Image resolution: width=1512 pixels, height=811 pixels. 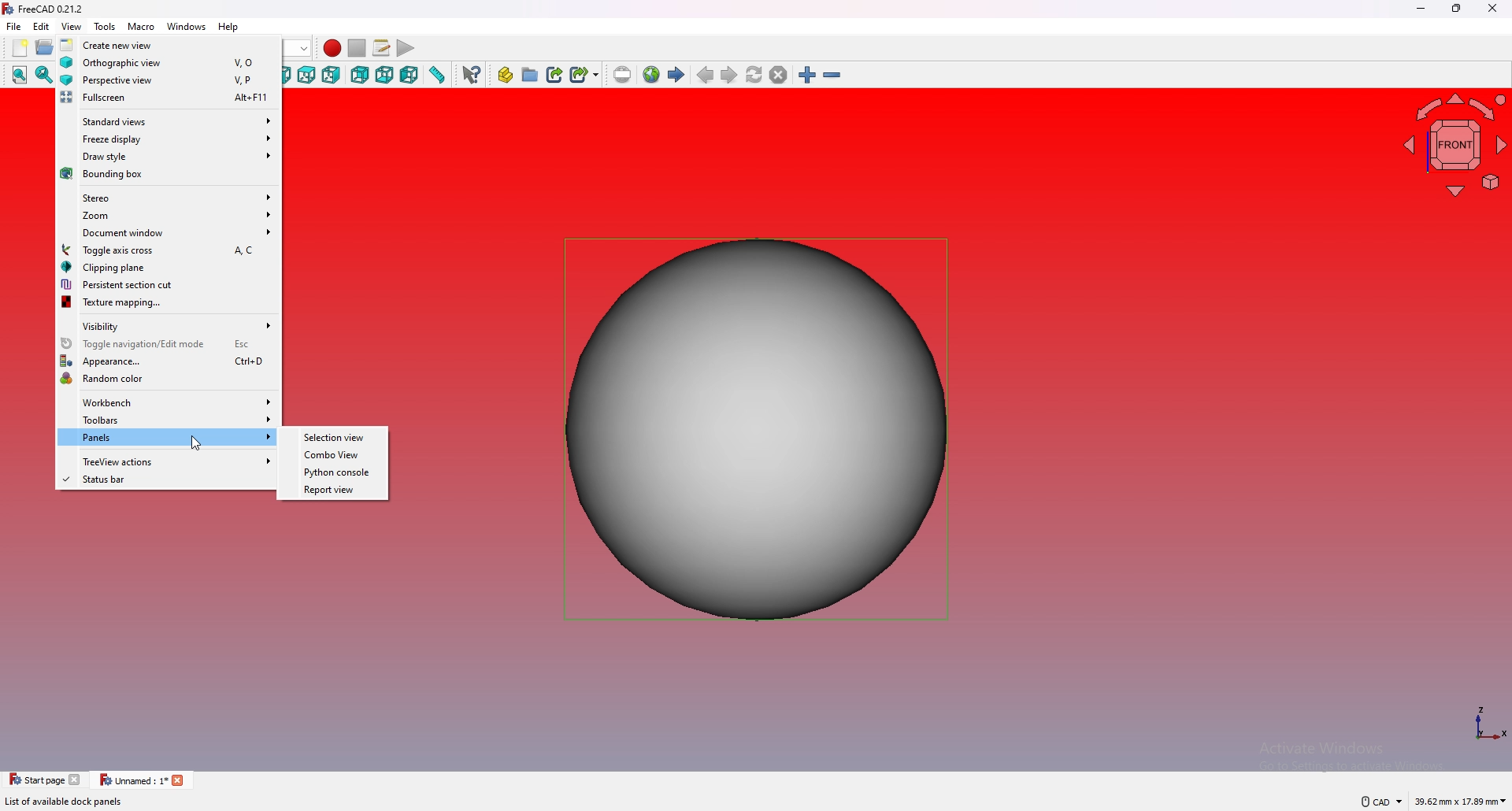 What do you see at coordinates (45, 48) in the screenshot?
I see `open` at bounding box center [45, 48].